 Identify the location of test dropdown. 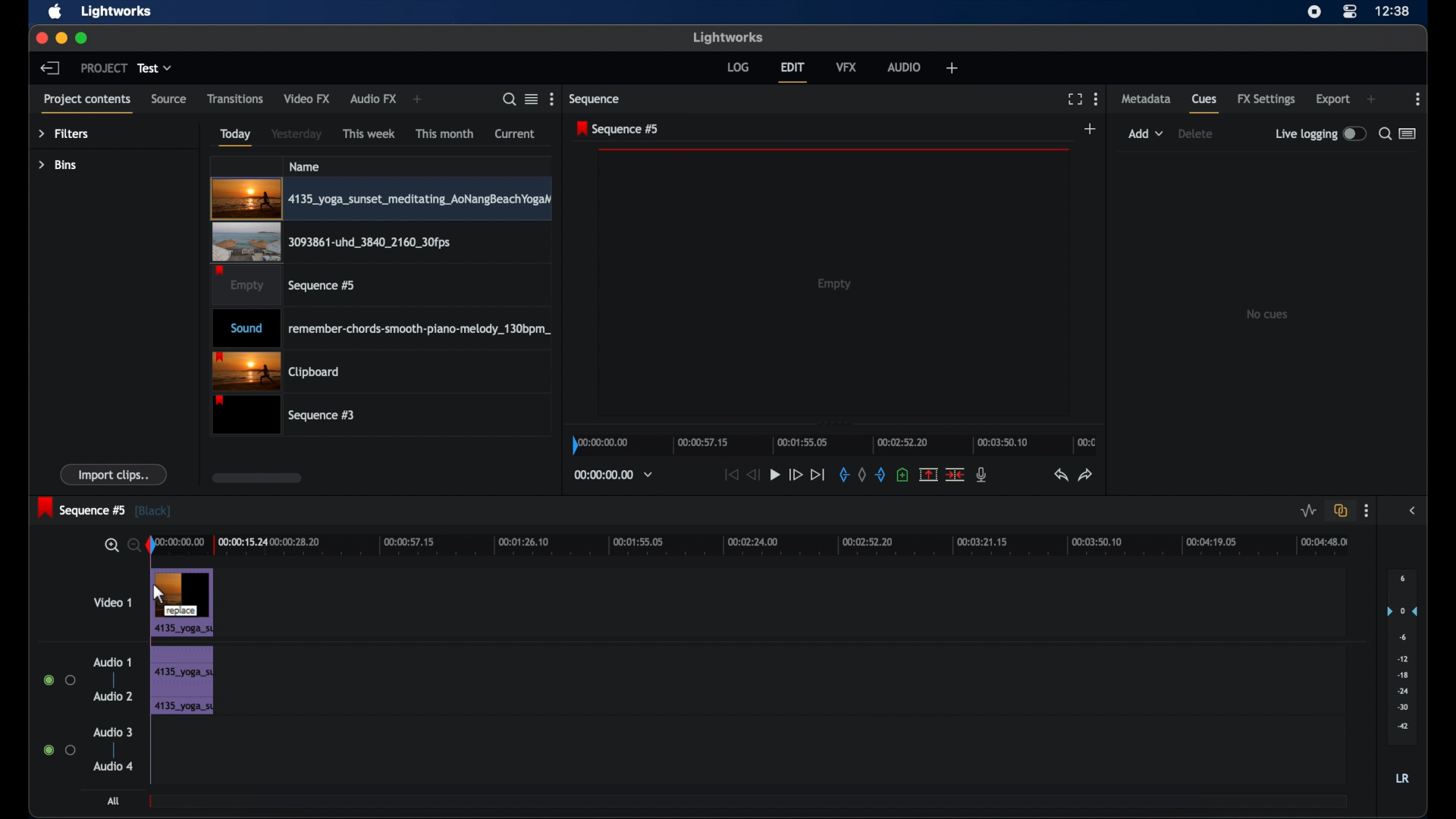
(155, 67).